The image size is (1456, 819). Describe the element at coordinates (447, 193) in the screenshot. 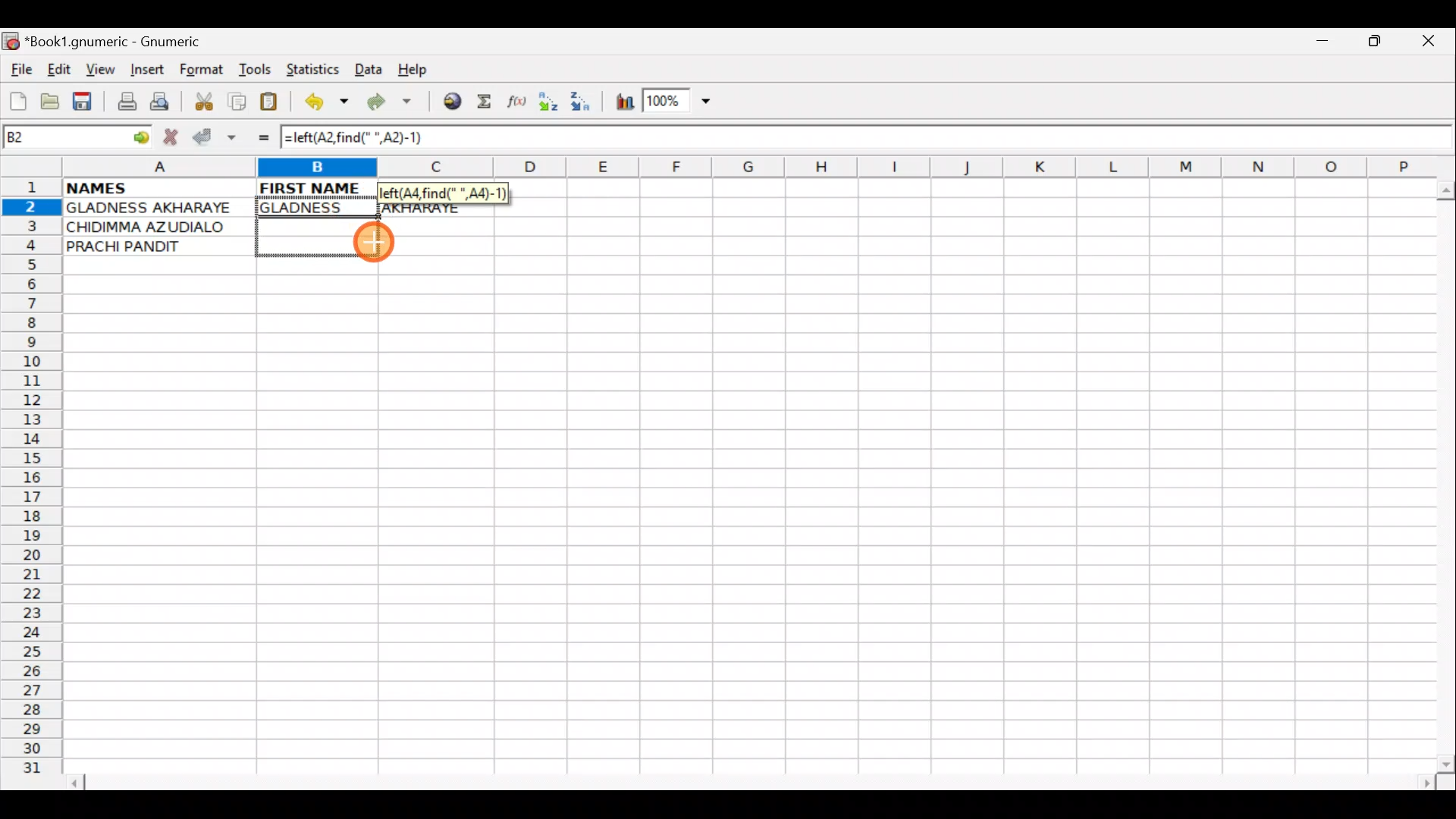

I see `=left(A2, find(" ",A2)-1)` at that location.